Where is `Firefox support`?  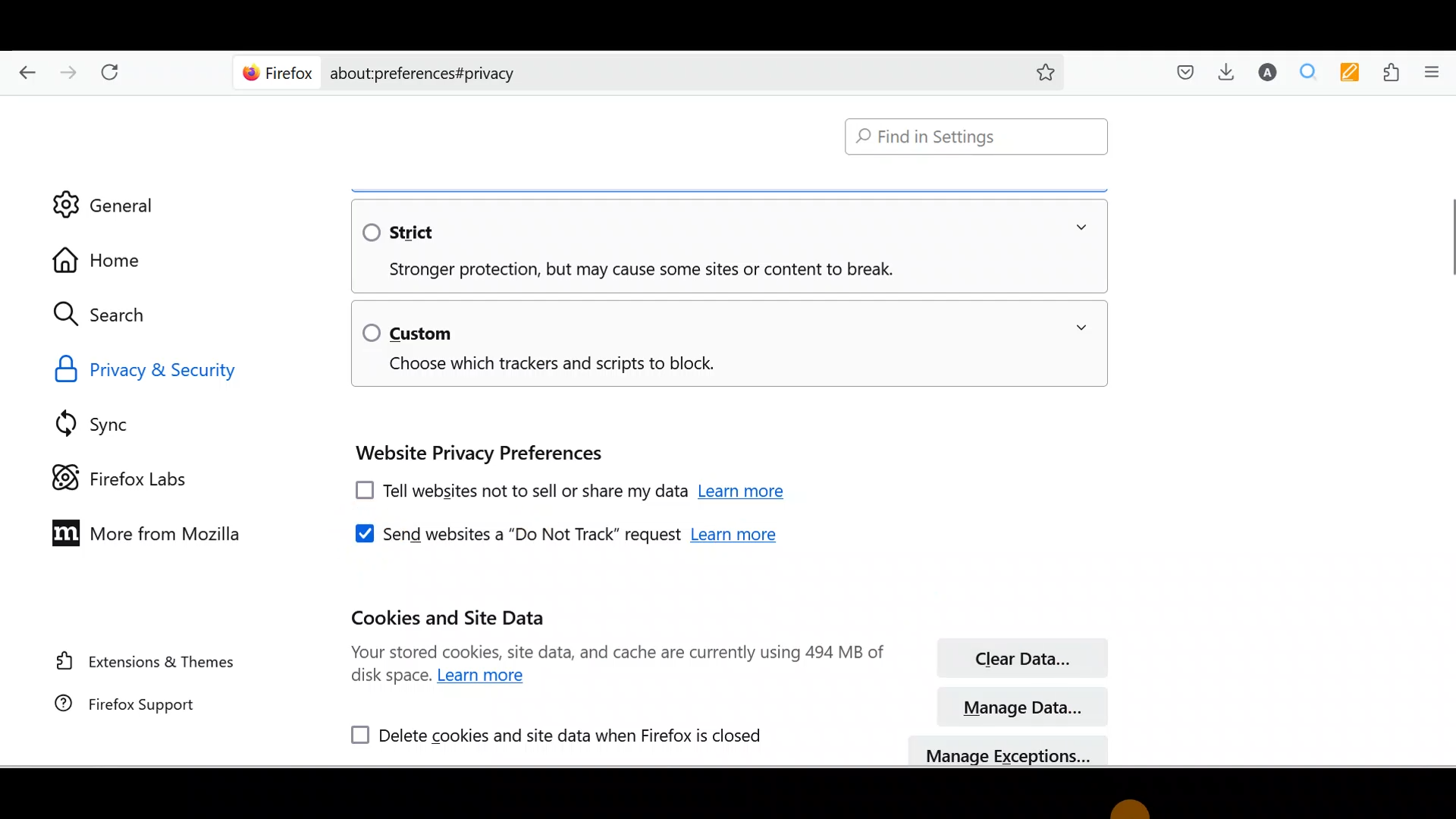
Firefox support is located at coordinates (142, 706).